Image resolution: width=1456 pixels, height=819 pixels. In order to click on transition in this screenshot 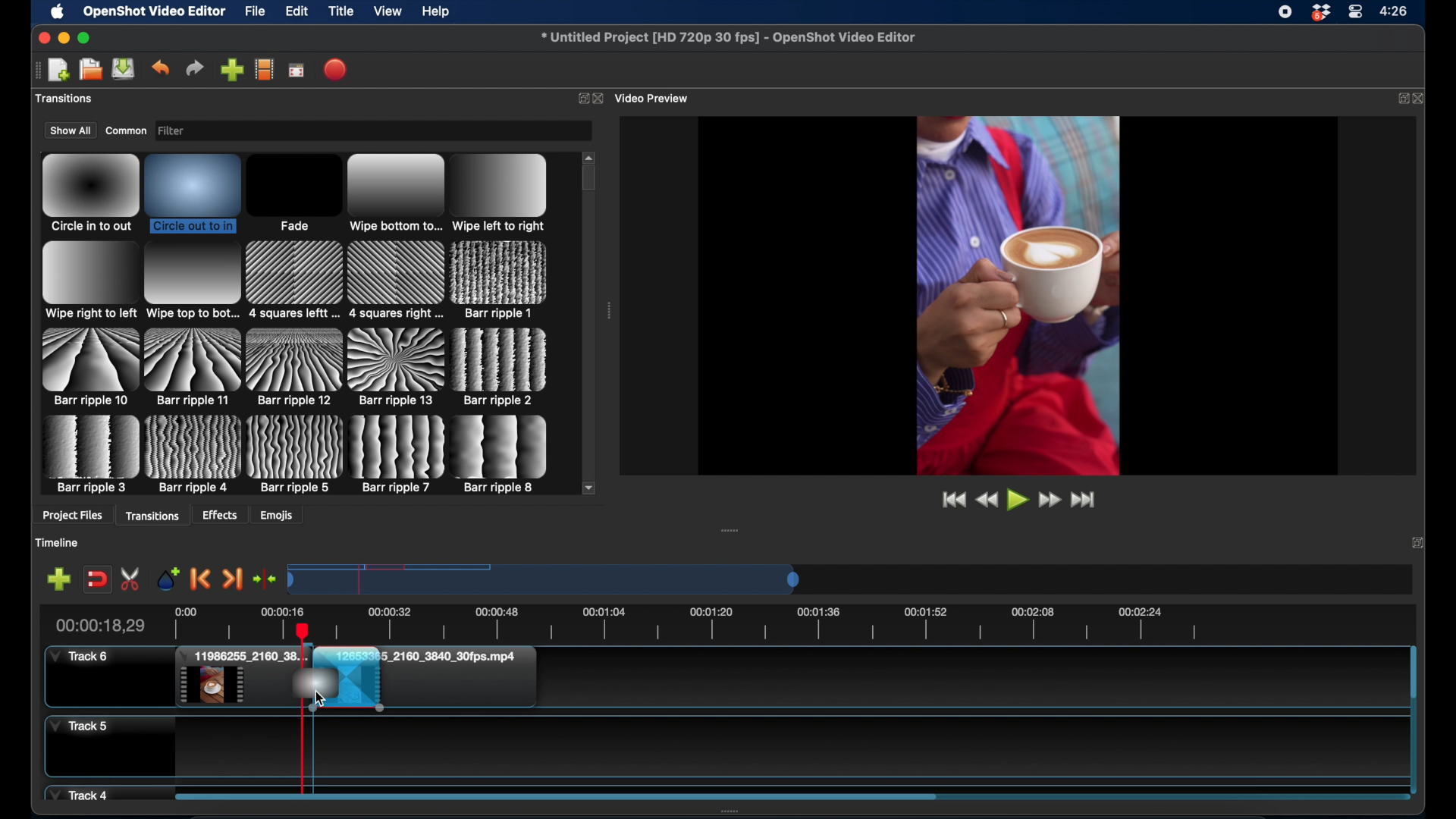, I will do `click(500, 192)`.